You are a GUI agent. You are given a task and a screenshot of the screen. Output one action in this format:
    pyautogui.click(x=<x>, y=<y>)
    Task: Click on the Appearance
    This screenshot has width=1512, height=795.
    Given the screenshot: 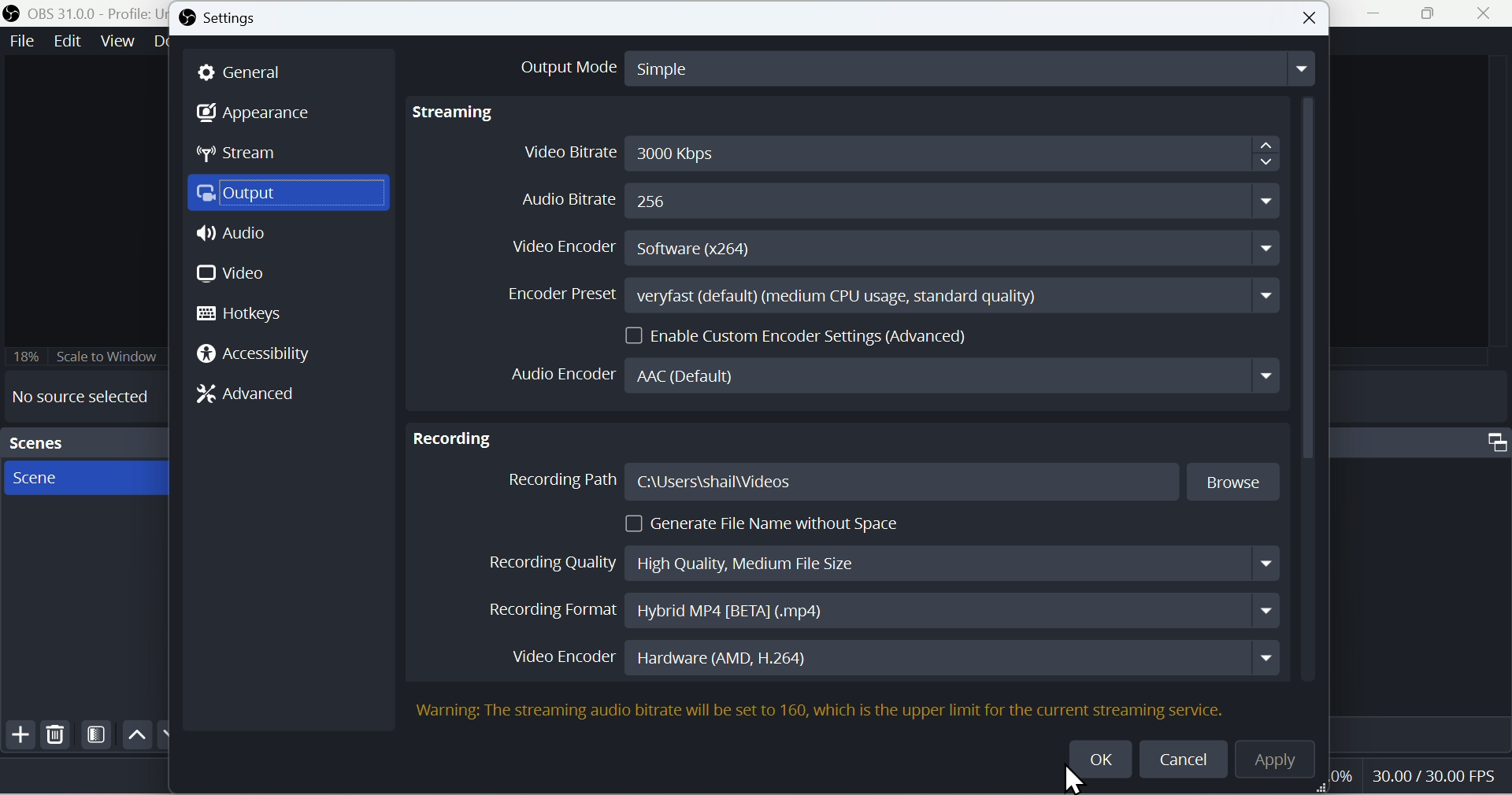 What is the action you would take?
    pyautogui.click(x=265, y=115)
    